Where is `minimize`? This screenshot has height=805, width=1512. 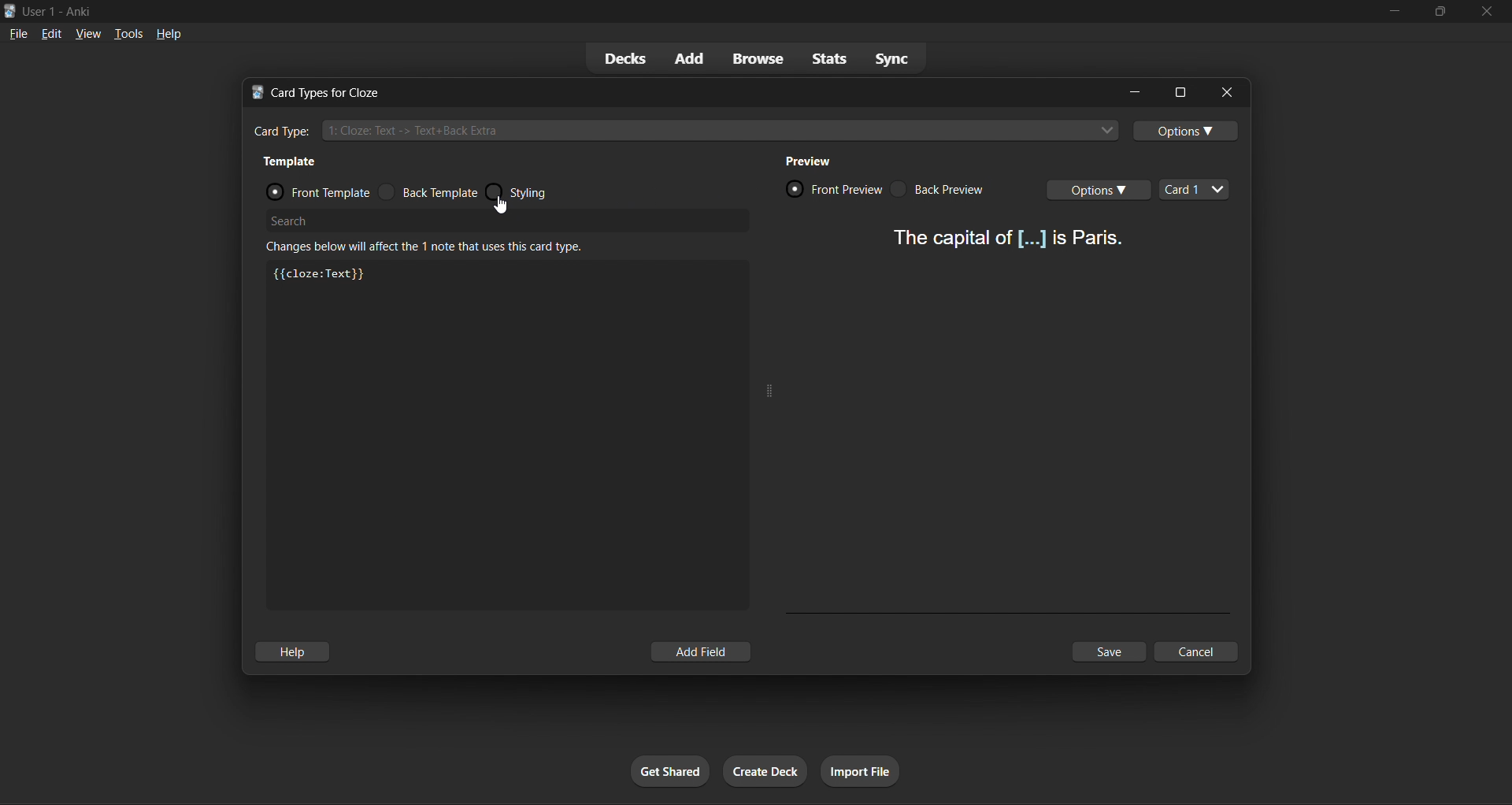 minimize is located at coordinates (1135, 91).